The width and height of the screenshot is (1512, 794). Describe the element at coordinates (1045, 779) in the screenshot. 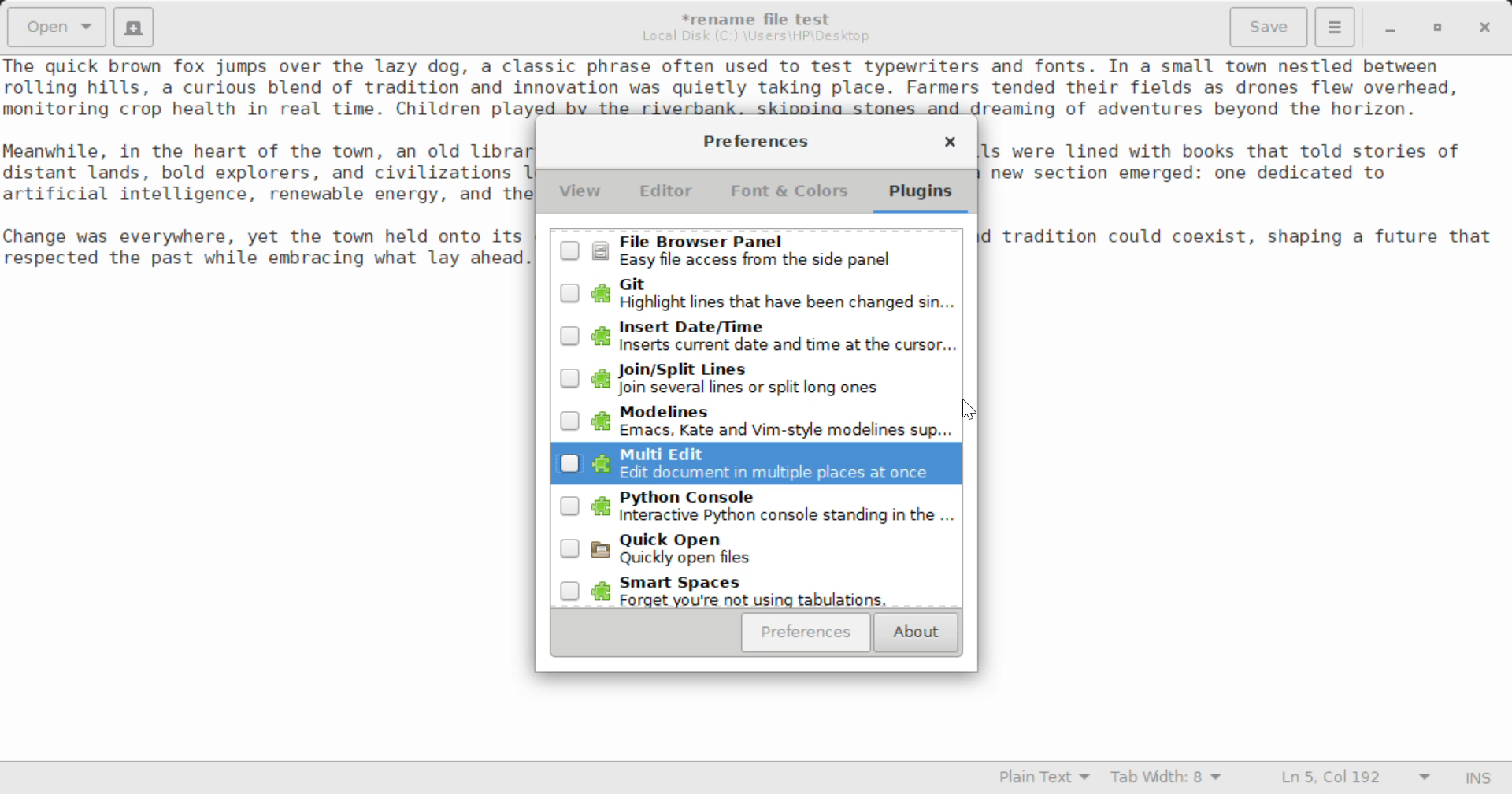

I see `Selected Language` at that location.